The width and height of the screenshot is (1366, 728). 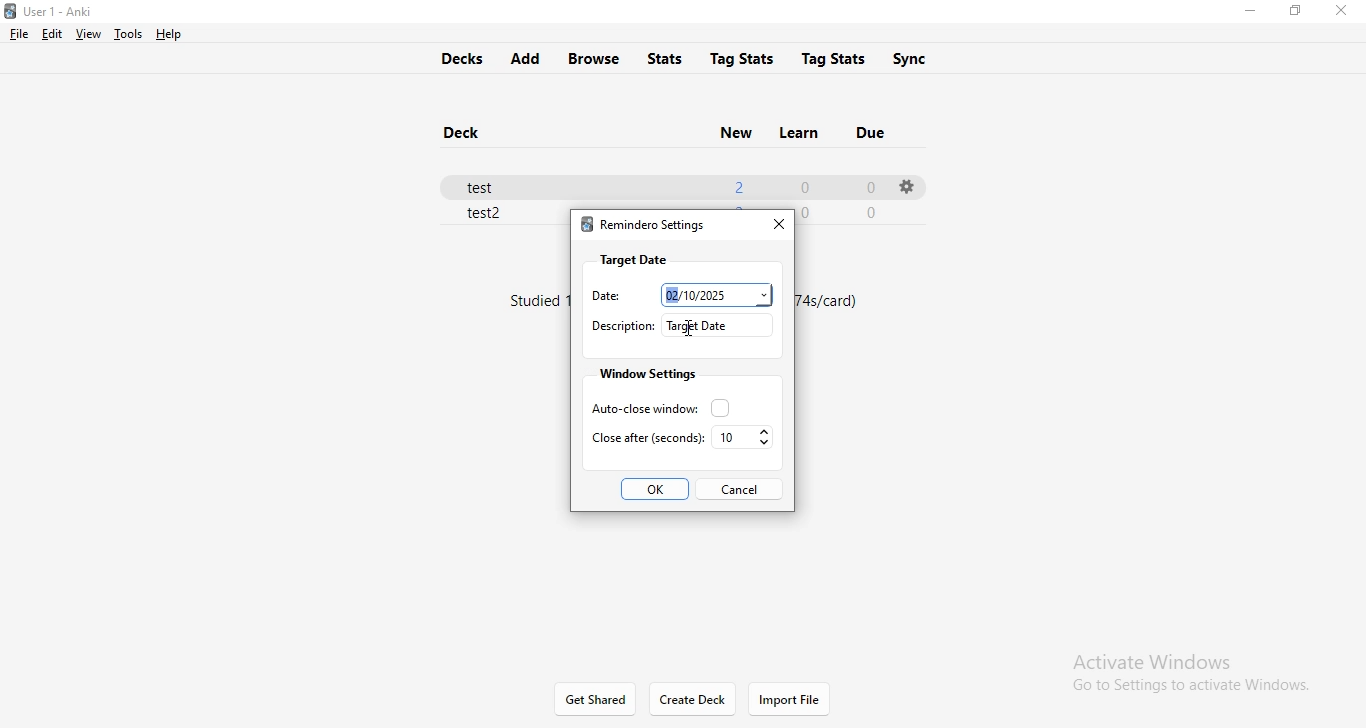 What do you see at coordinates (905, 186) in the screenshot?
I see `settings` at bounding box center [905, 186].